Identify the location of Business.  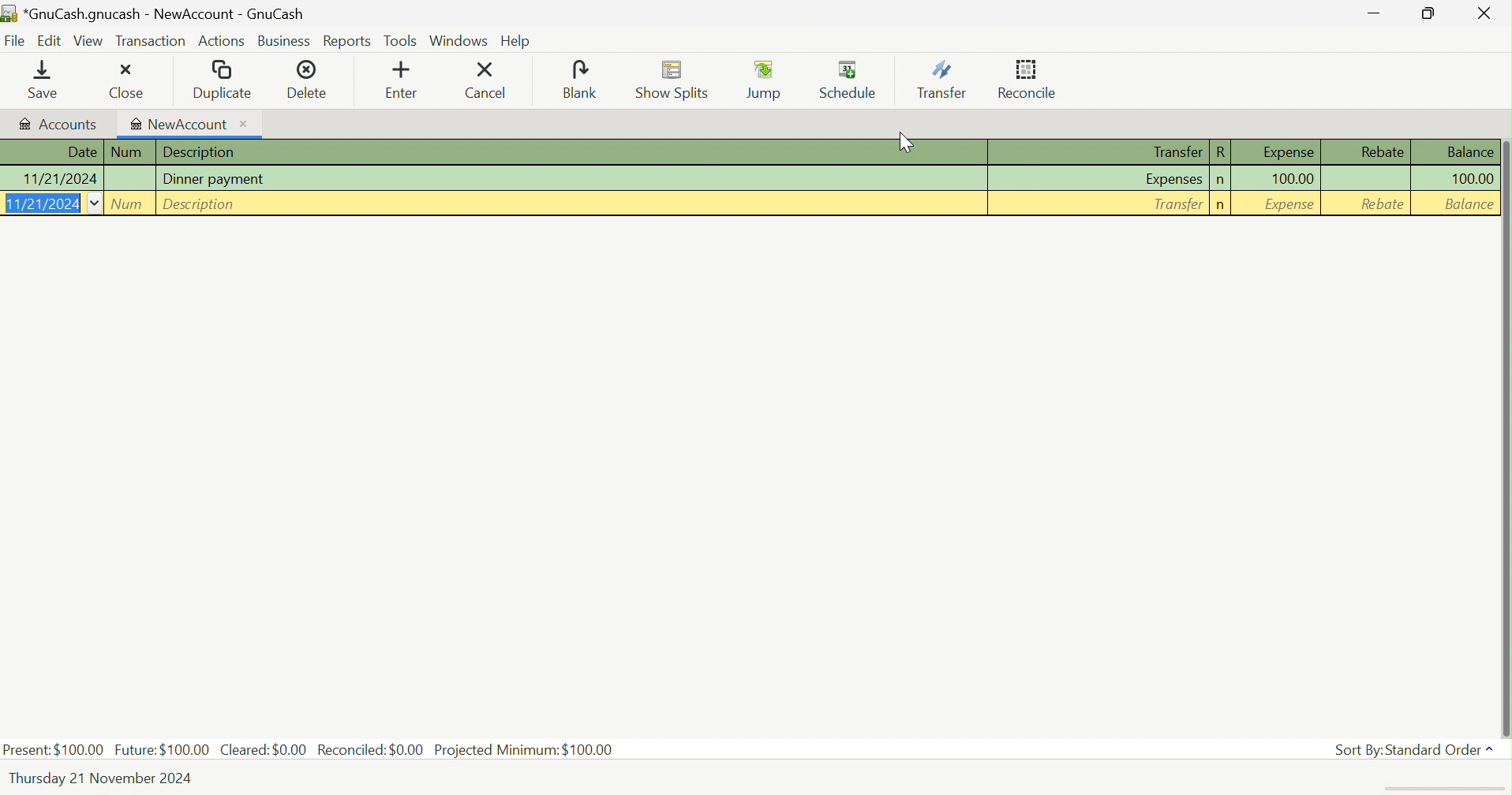
(286, 42).